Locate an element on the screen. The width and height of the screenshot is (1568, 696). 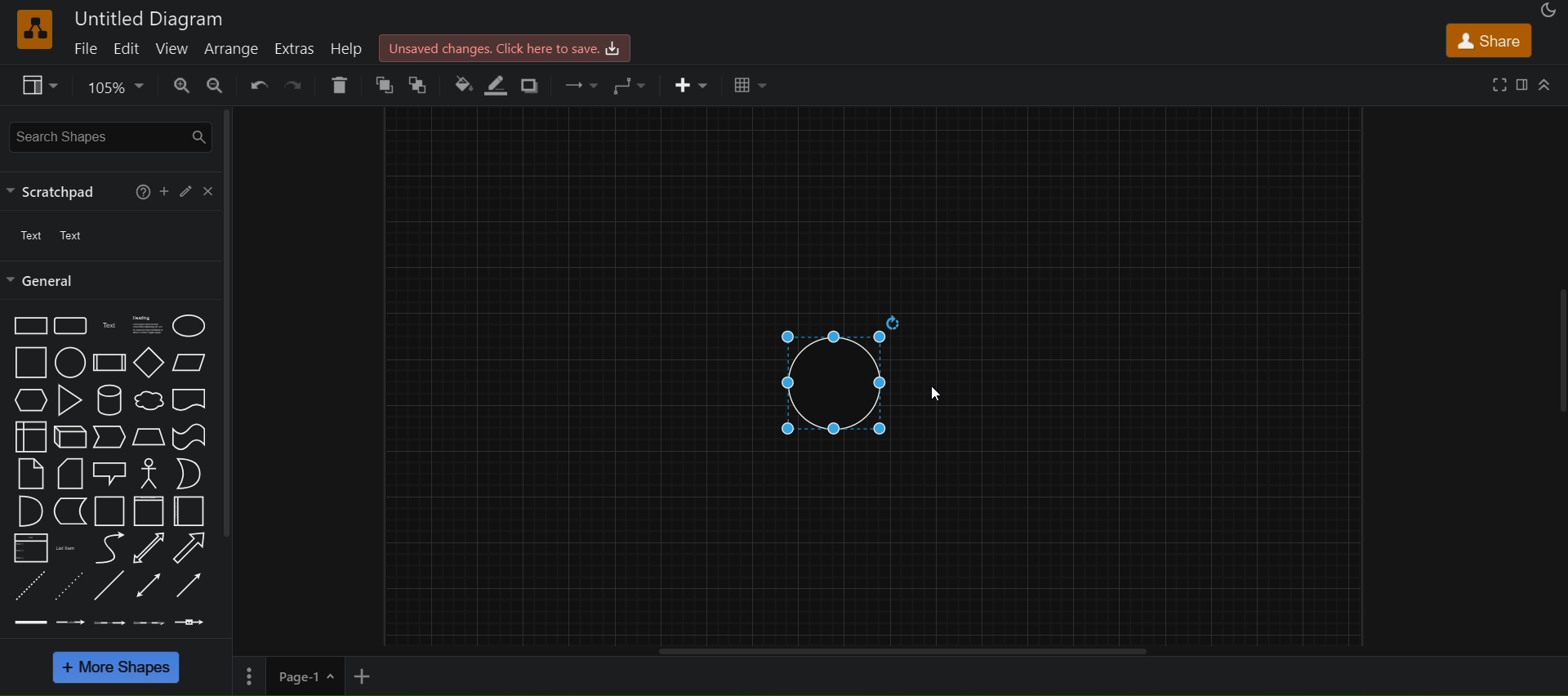
or is located at coordinates (189, 474).